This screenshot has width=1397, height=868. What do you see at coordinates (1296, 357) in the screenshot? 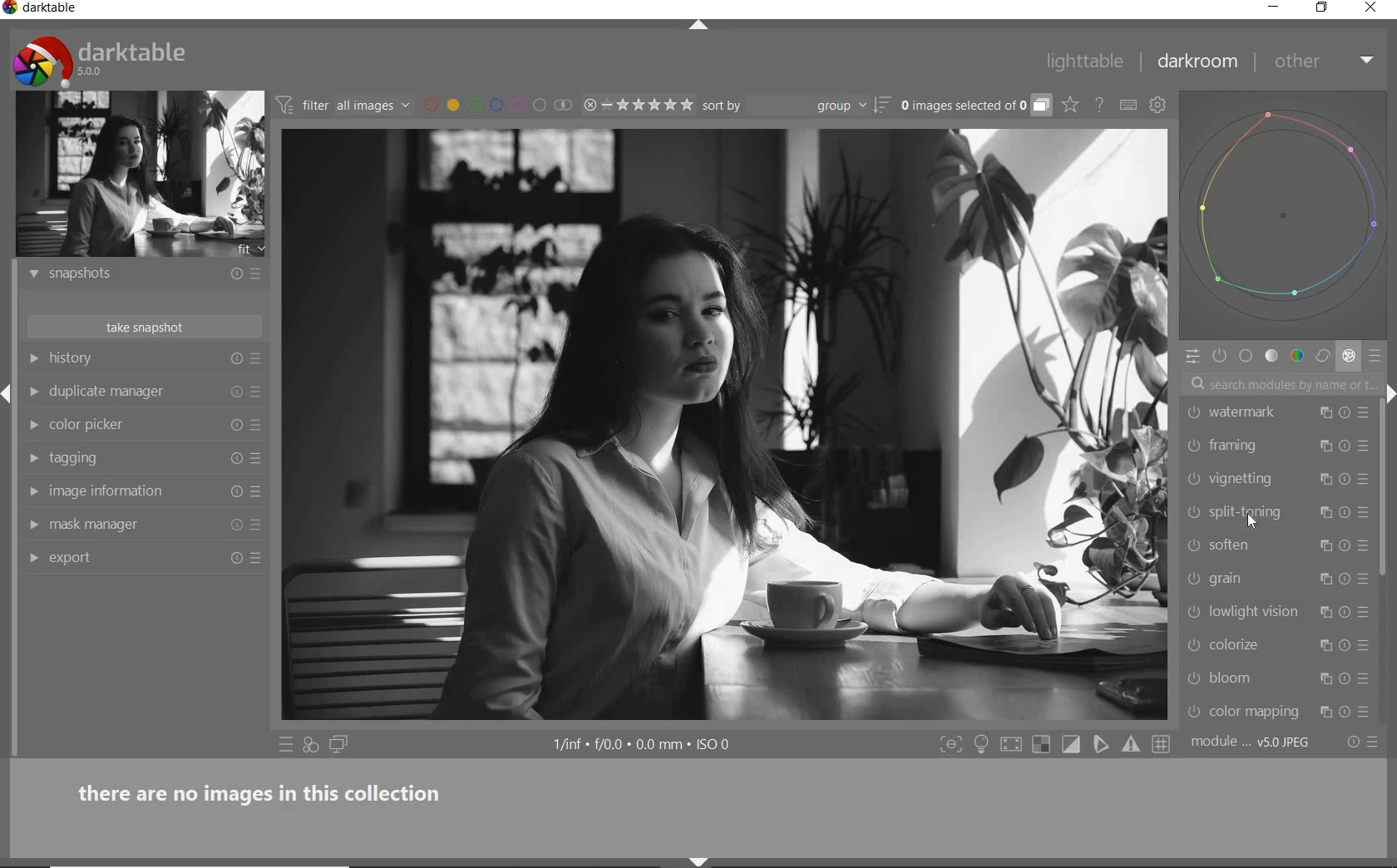
I see `color` at bounding box center [1296, 357].